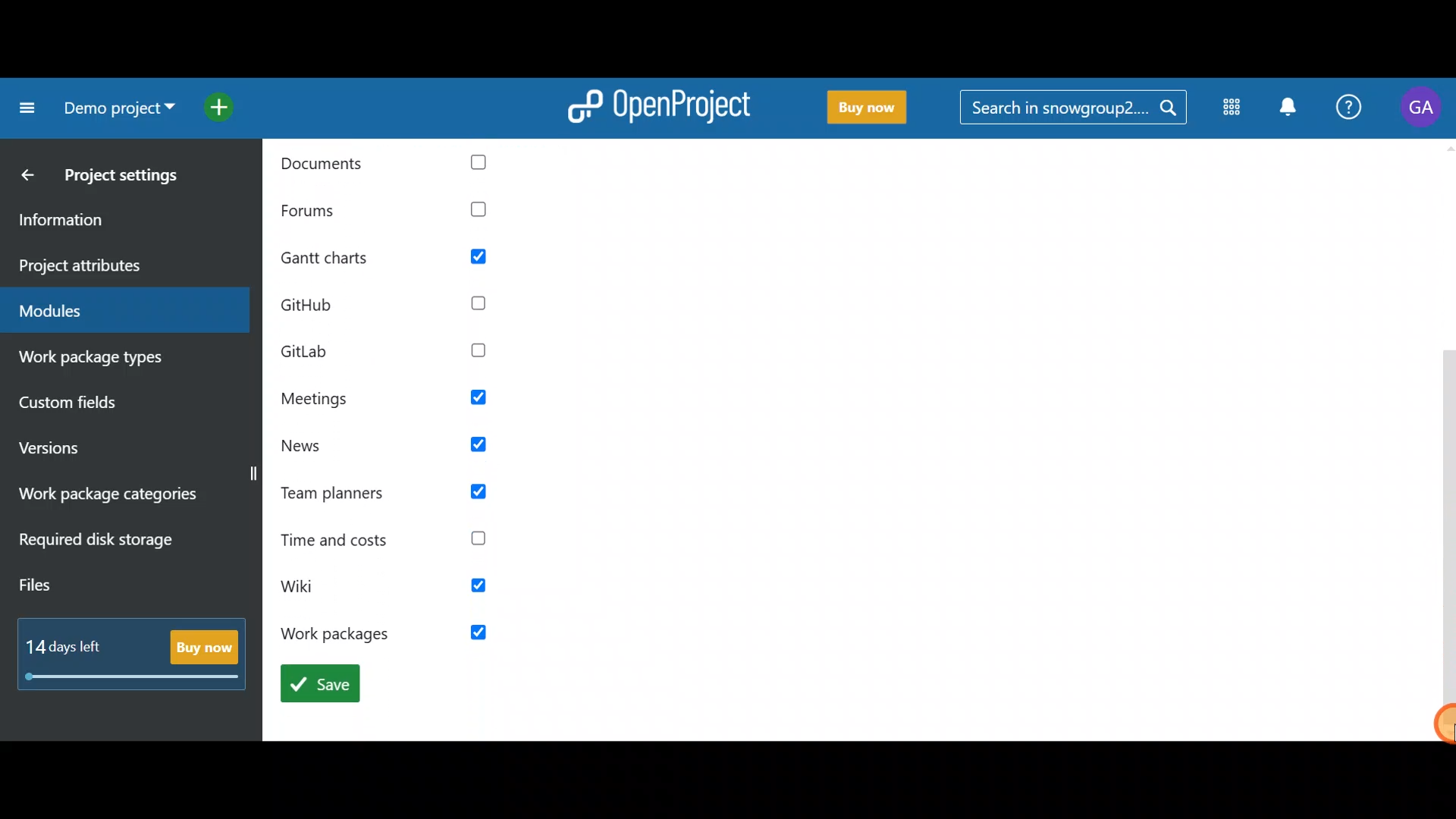 The height and width of the screenshot is (819, 1456). Describe the element at coordinates (117, 360) in the screenshot. I see `Work package types` at that location.